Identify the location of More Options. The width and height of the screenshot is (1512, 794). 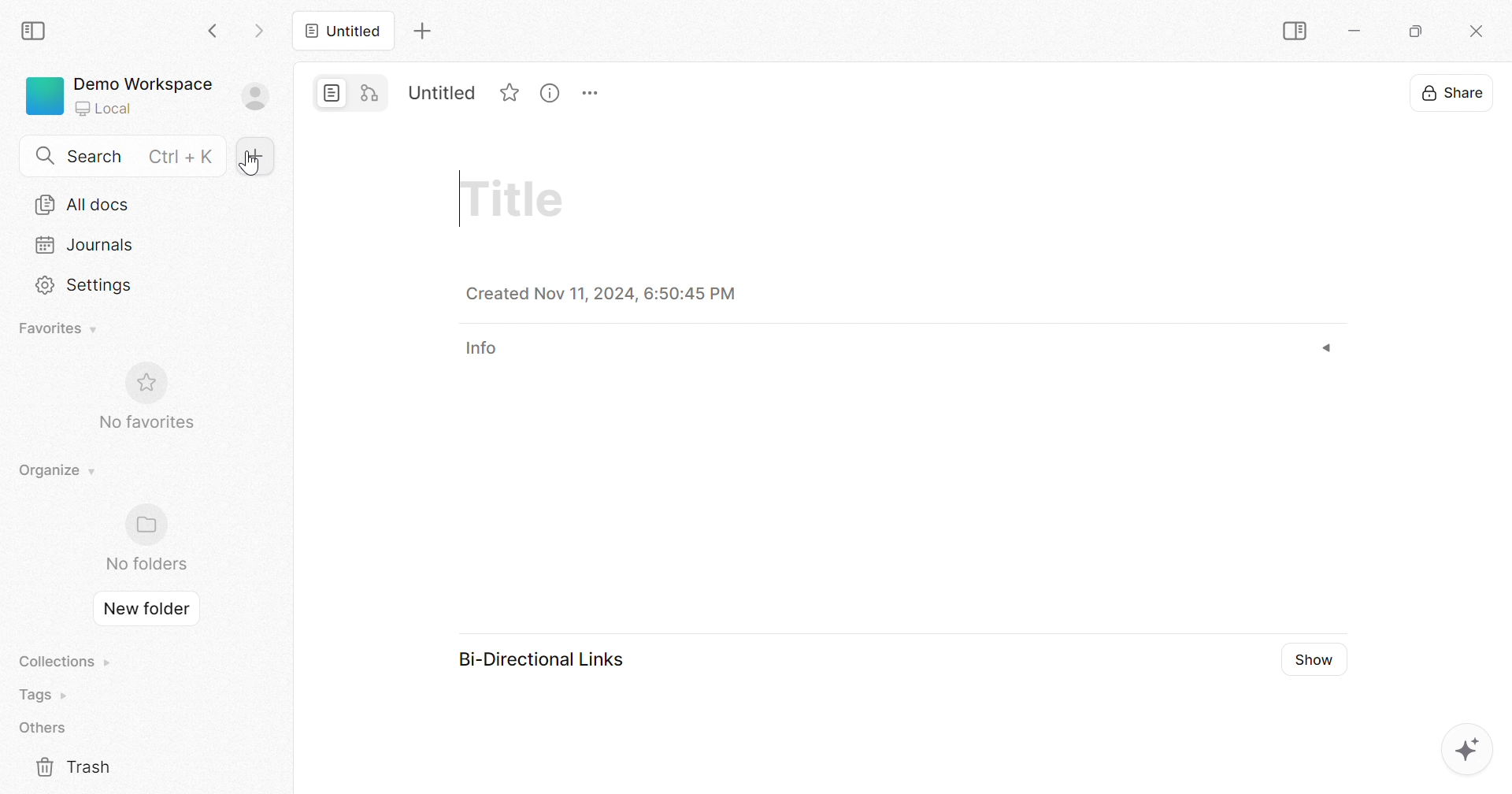
(592, 93).